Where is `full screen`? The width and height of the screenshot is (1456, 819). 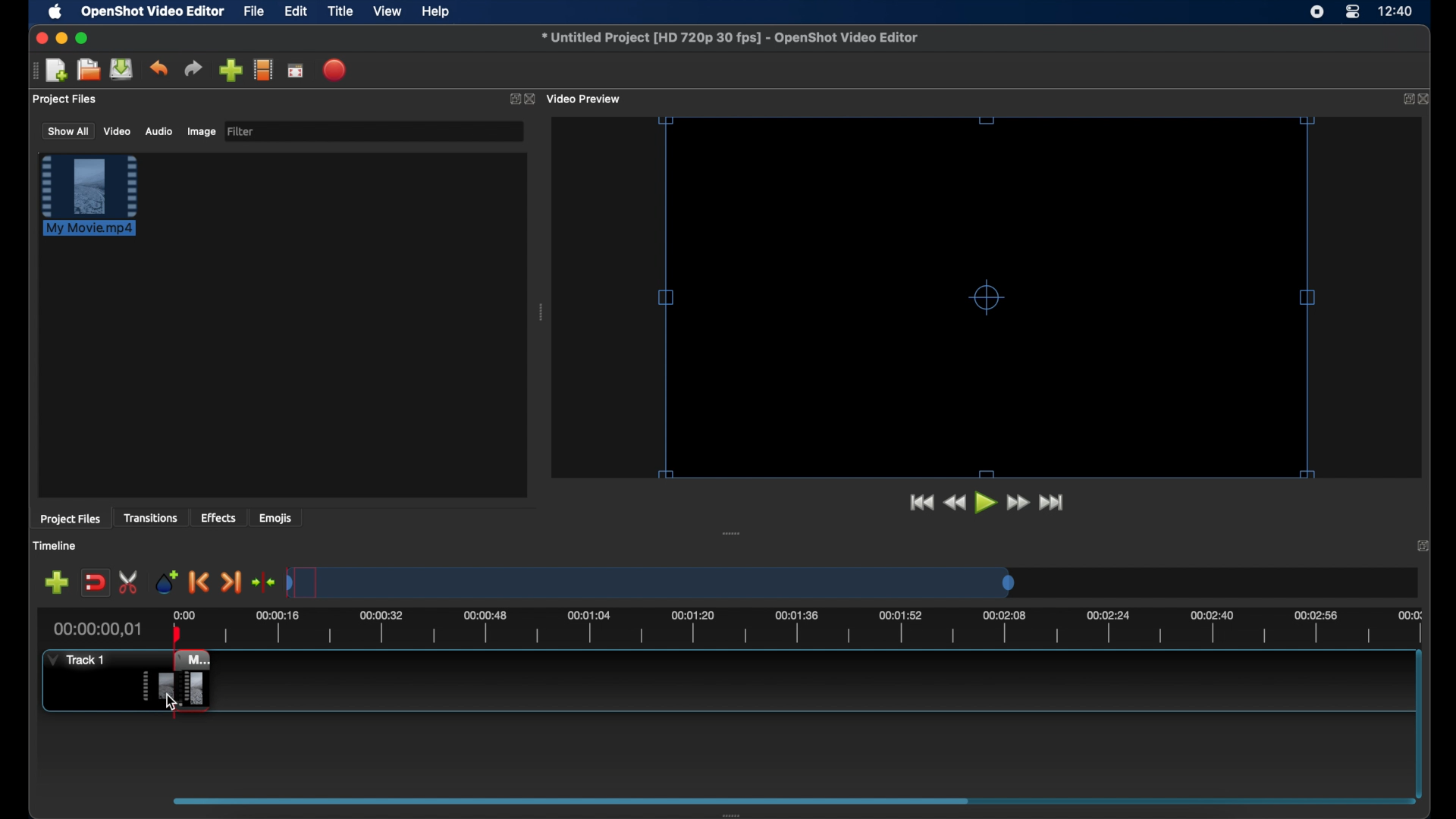 full screen is located at coordinates (295, 71).